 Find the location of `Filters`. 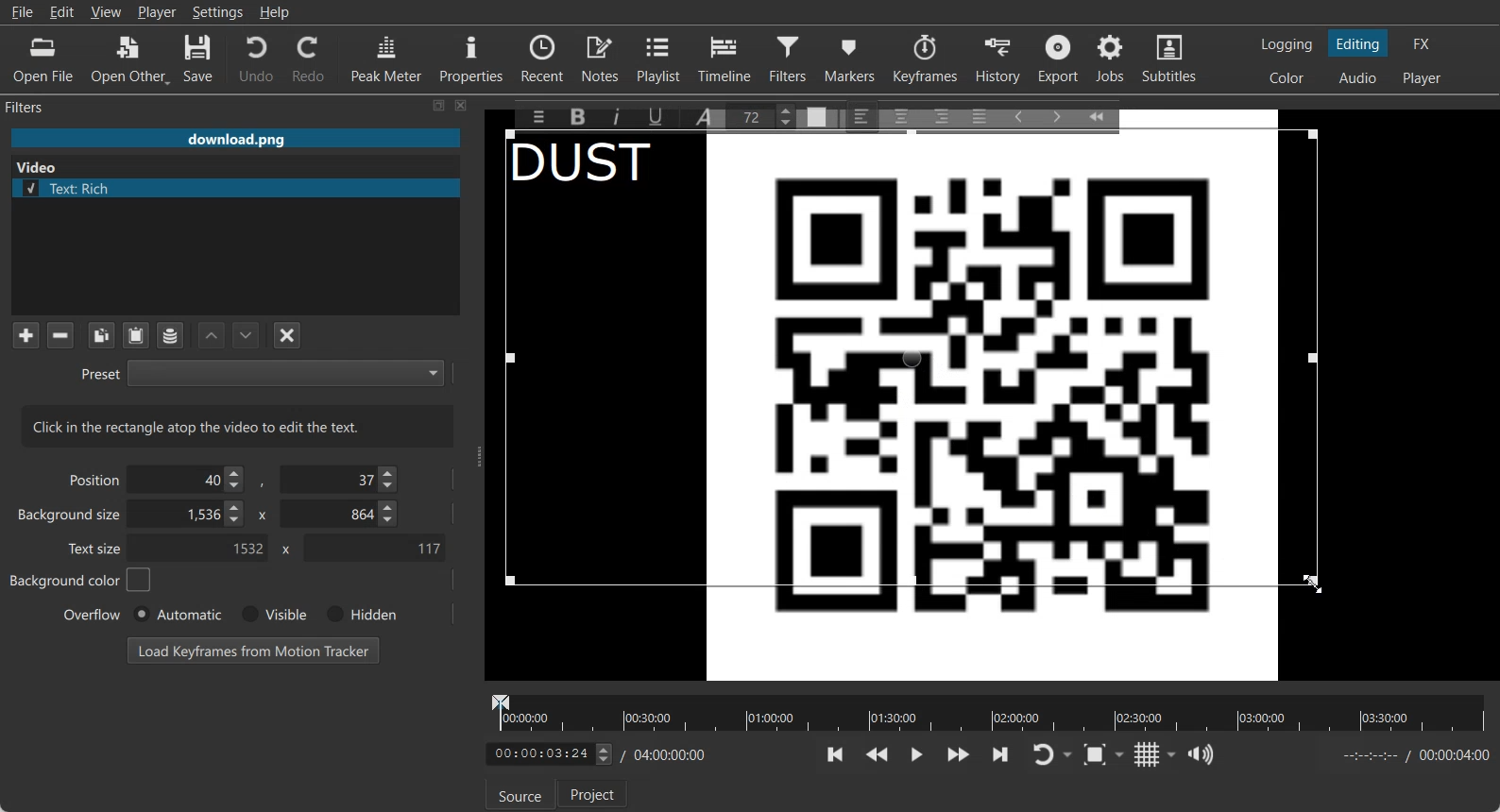

Filters is located at coordinates (791, 58).